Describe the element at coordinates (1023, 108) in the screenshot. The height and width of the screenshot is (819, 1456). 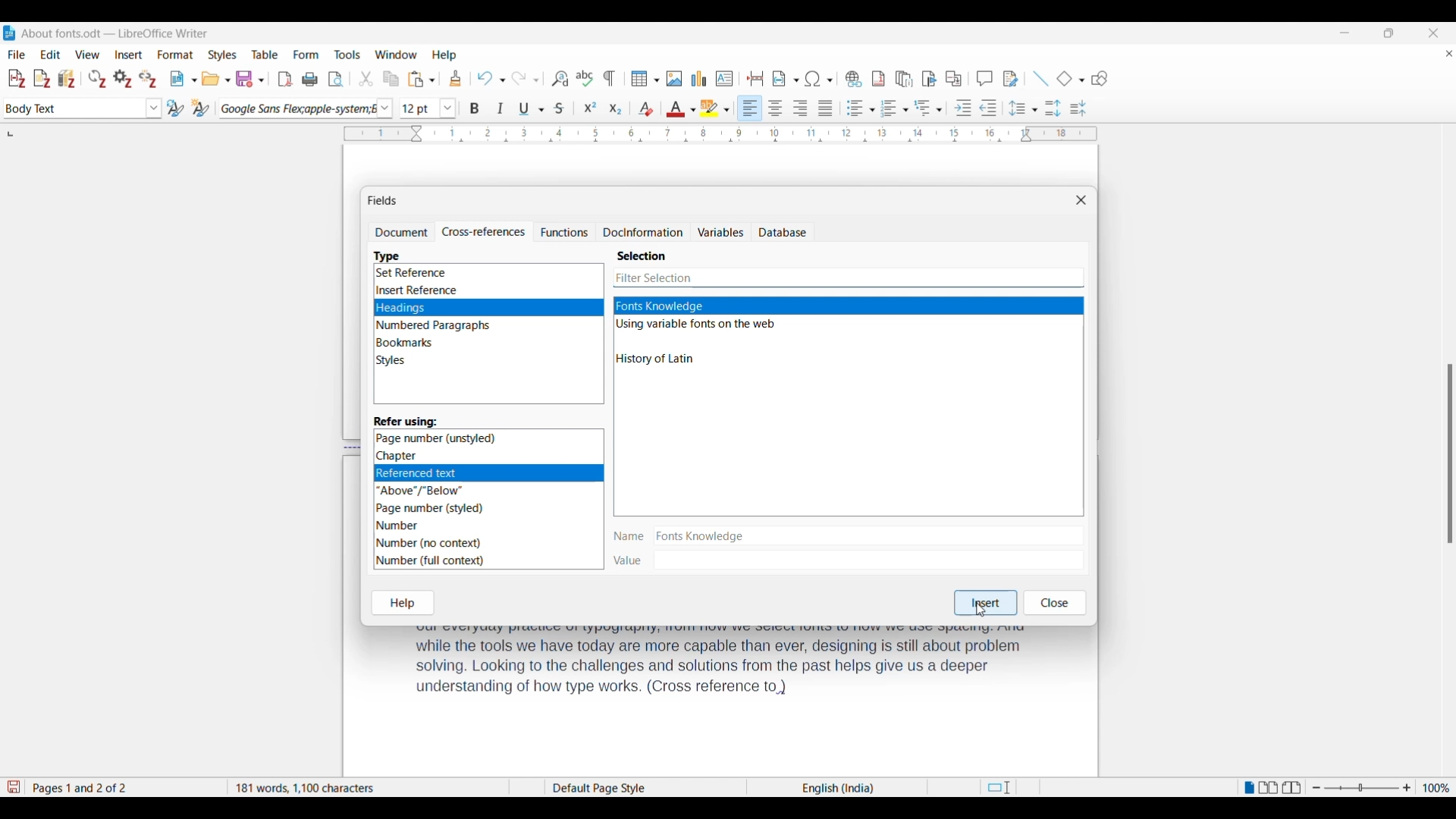
I see `Set line spacing options` at that location.